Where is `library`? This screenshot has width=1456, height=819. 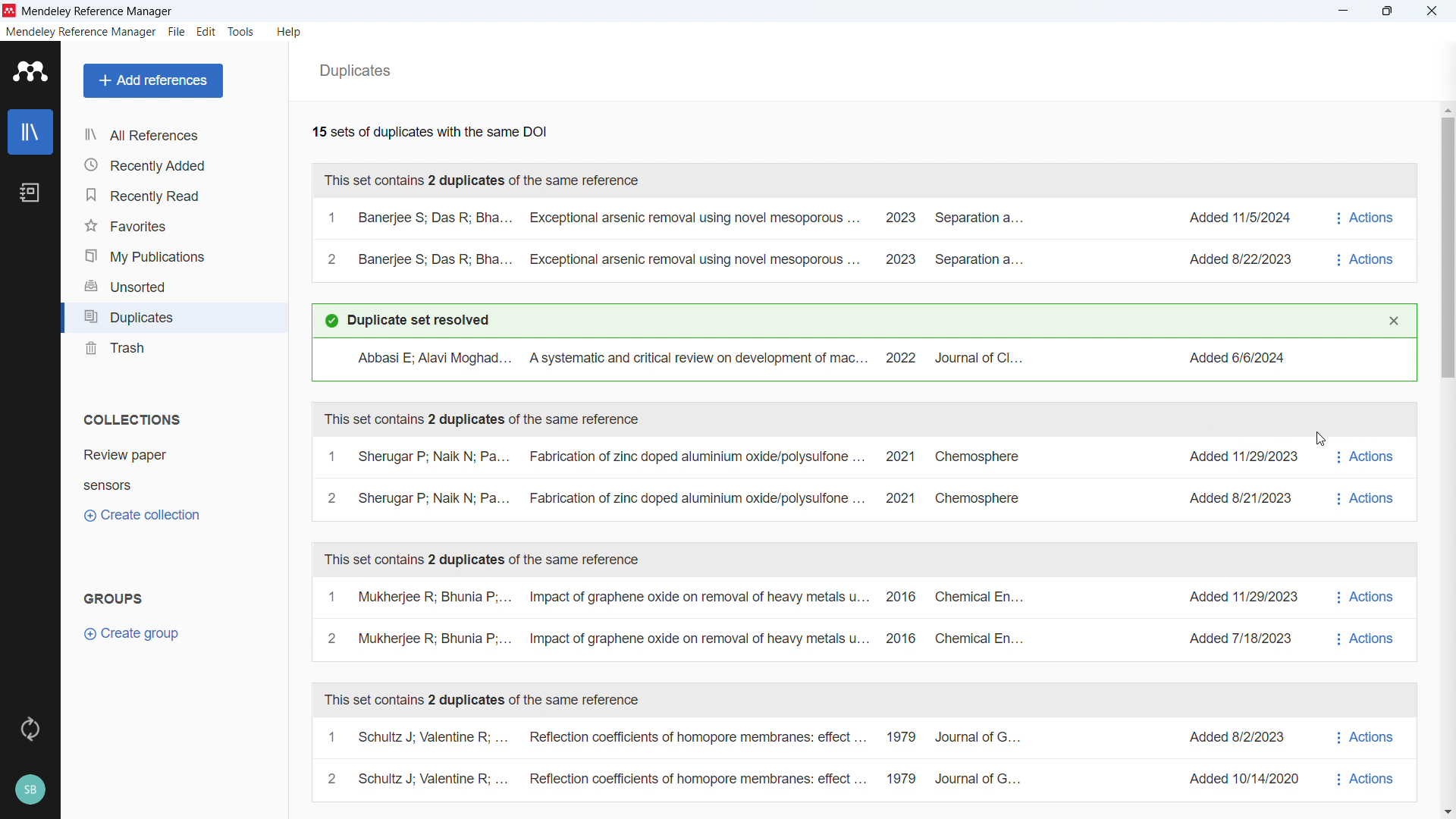
library is located at coordinates (30, 133).